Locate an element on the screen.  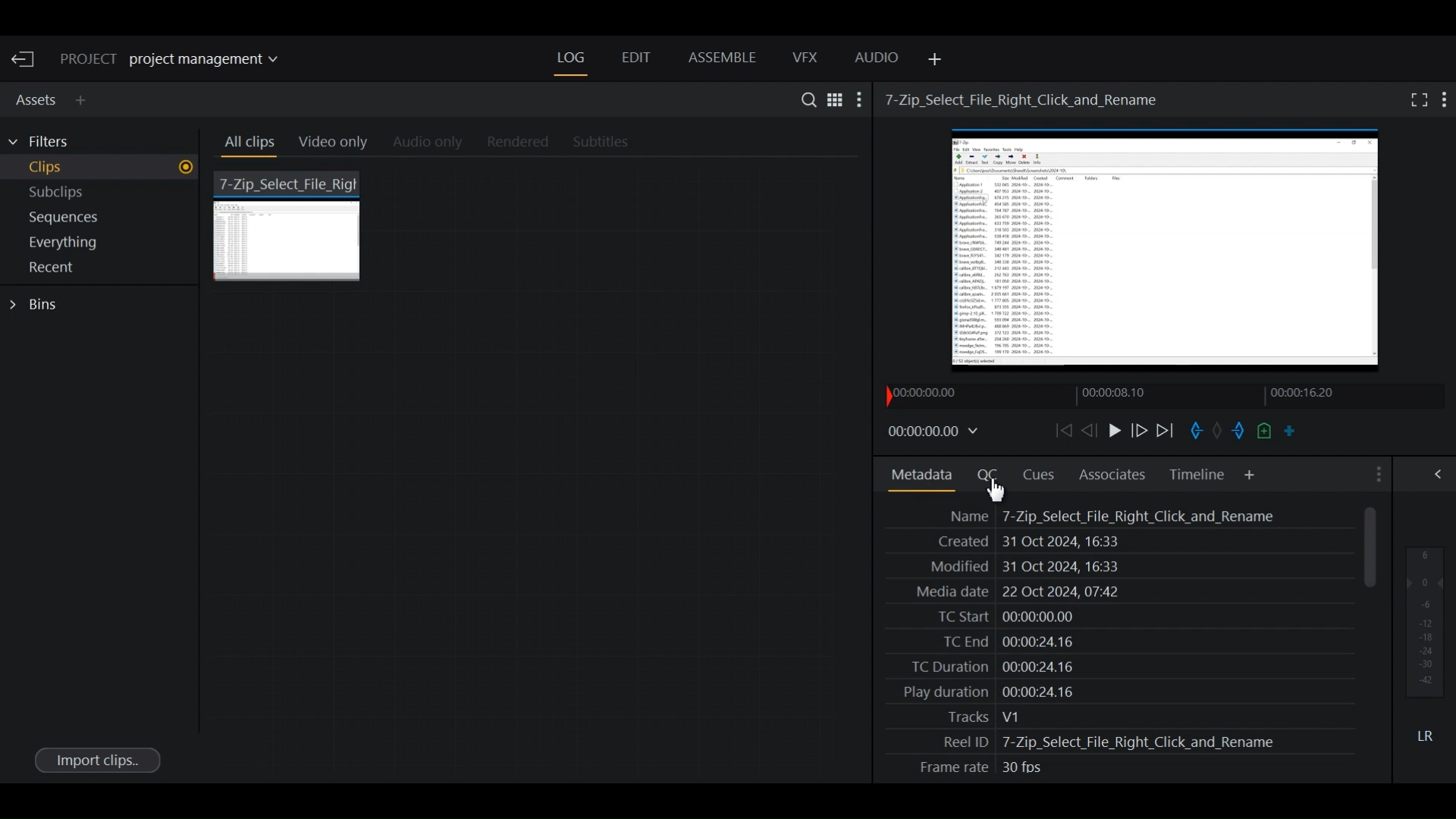
Date Modified is located at coordinates (1098, 564).